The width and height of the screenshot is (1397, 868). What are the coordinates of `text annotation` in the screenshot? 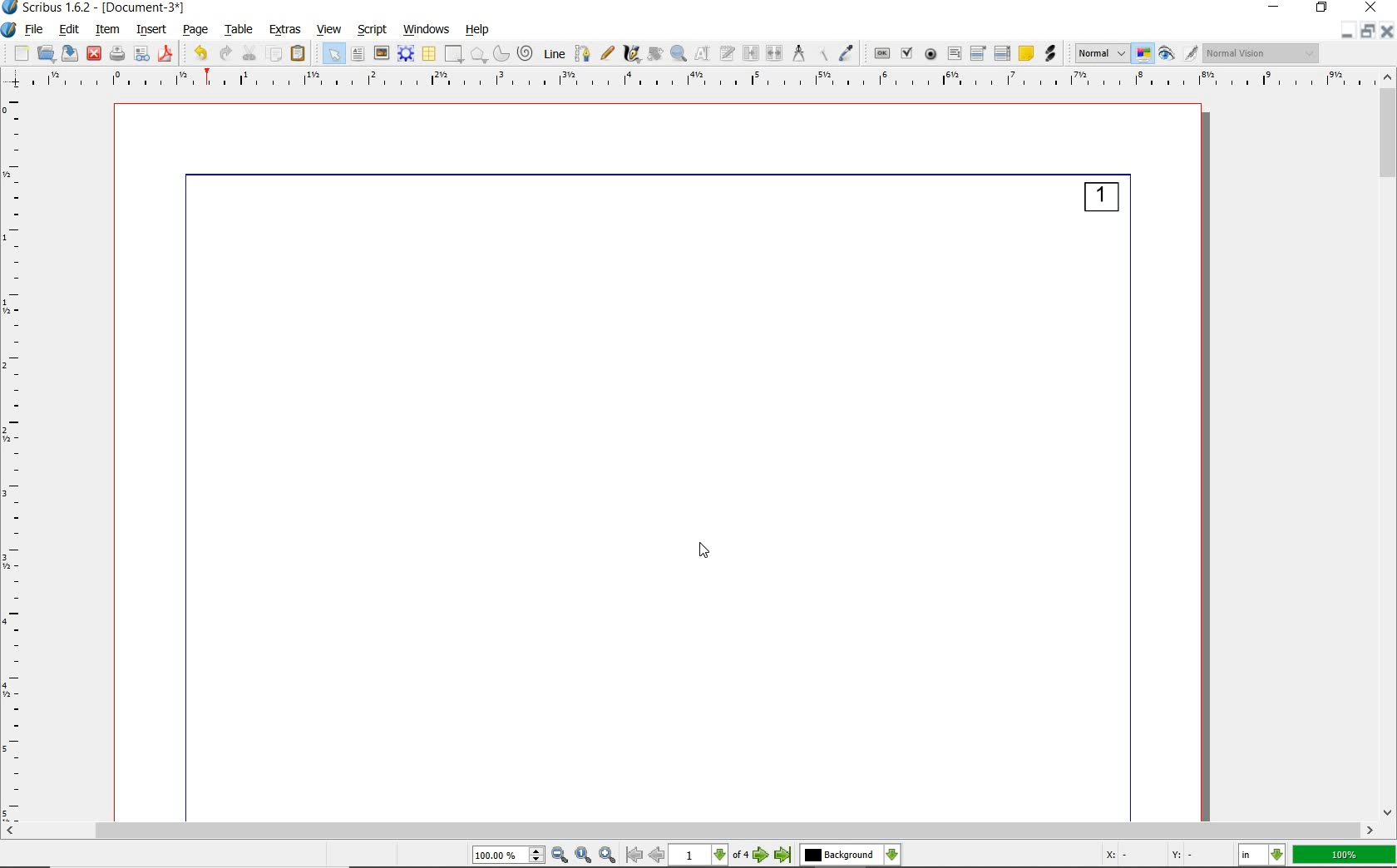 It's located at (1024, 53).